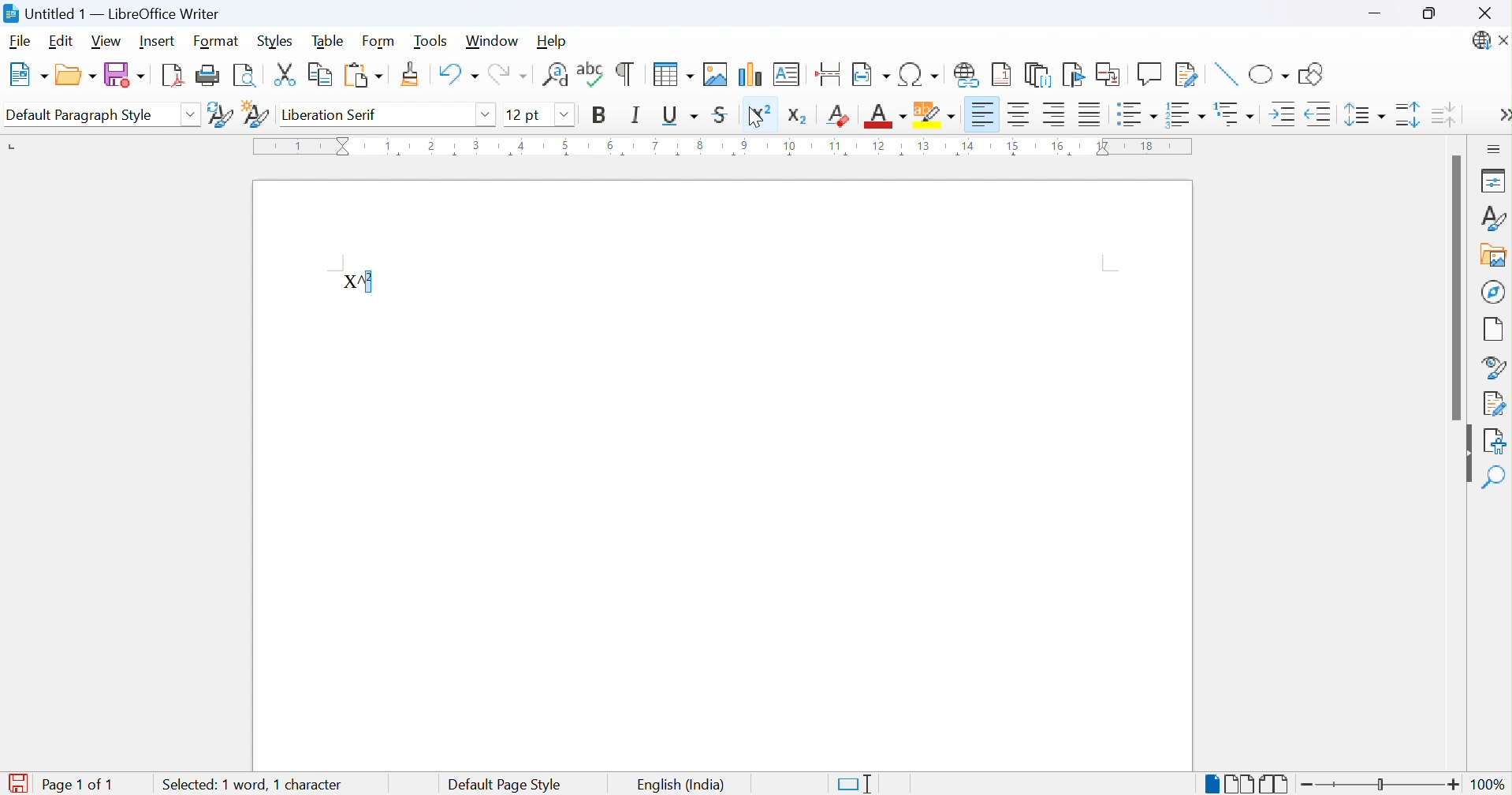 The height and width of the screenshot is (795, 1512). Describe the element at coordinates (983, 115) in the screenshot. I see `Align left` at that location.